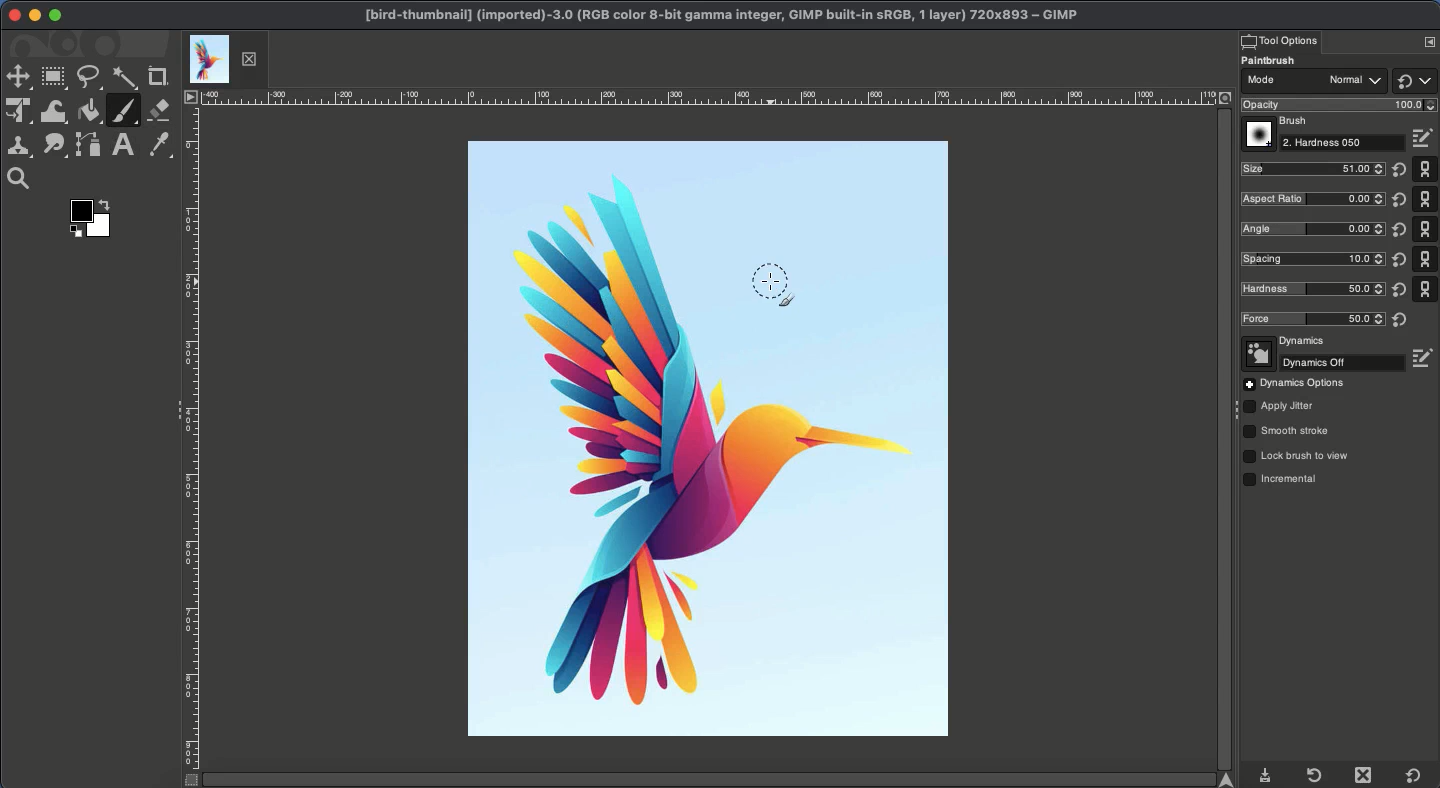 The height and width of the screenshot is (788, 1440). Describe the element at coordinates (1286, 342) in the screenshot. I see `Dynamics` at that location.